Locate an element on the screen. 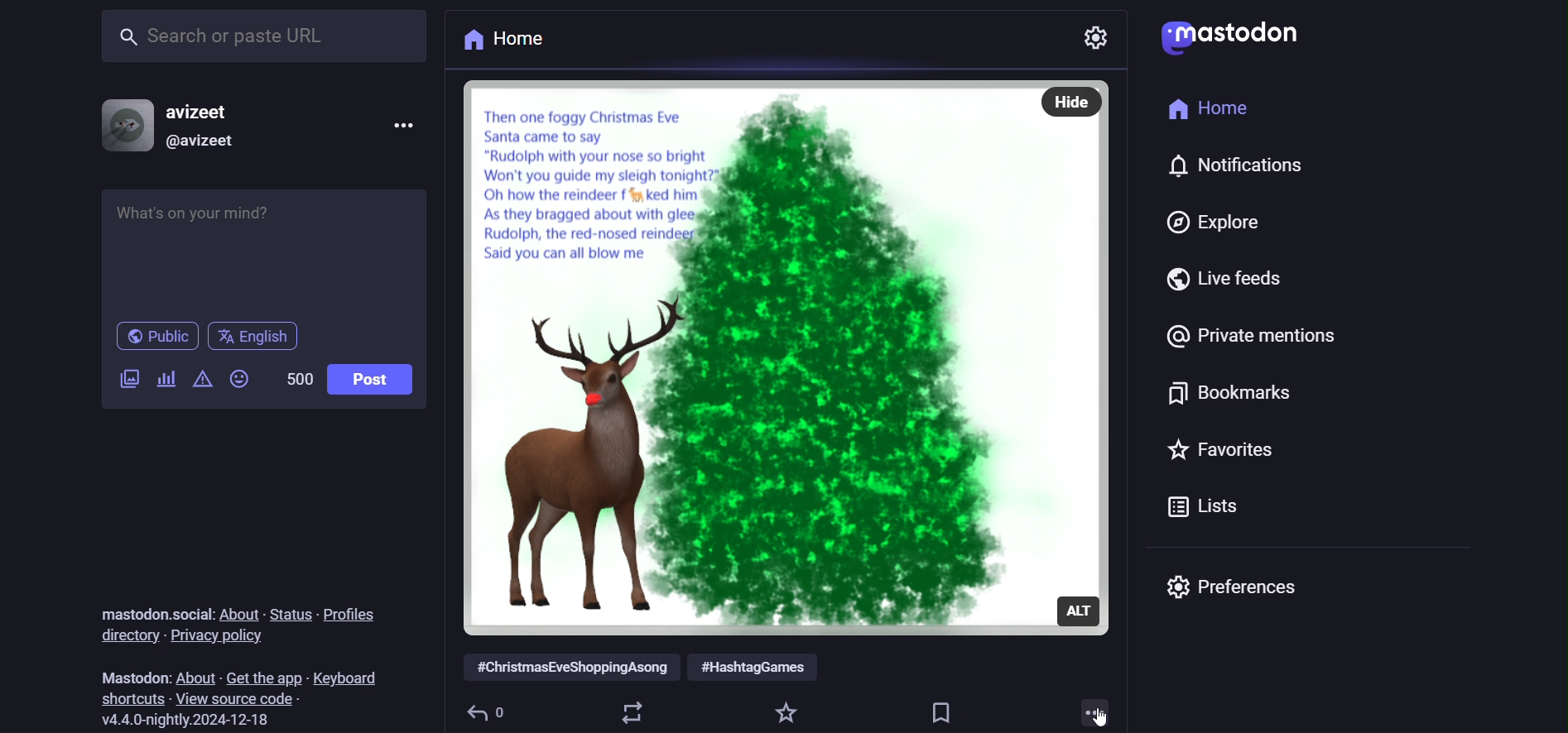 This screenshot has width=1568, height=733. public is located at coordinates (156, 336).